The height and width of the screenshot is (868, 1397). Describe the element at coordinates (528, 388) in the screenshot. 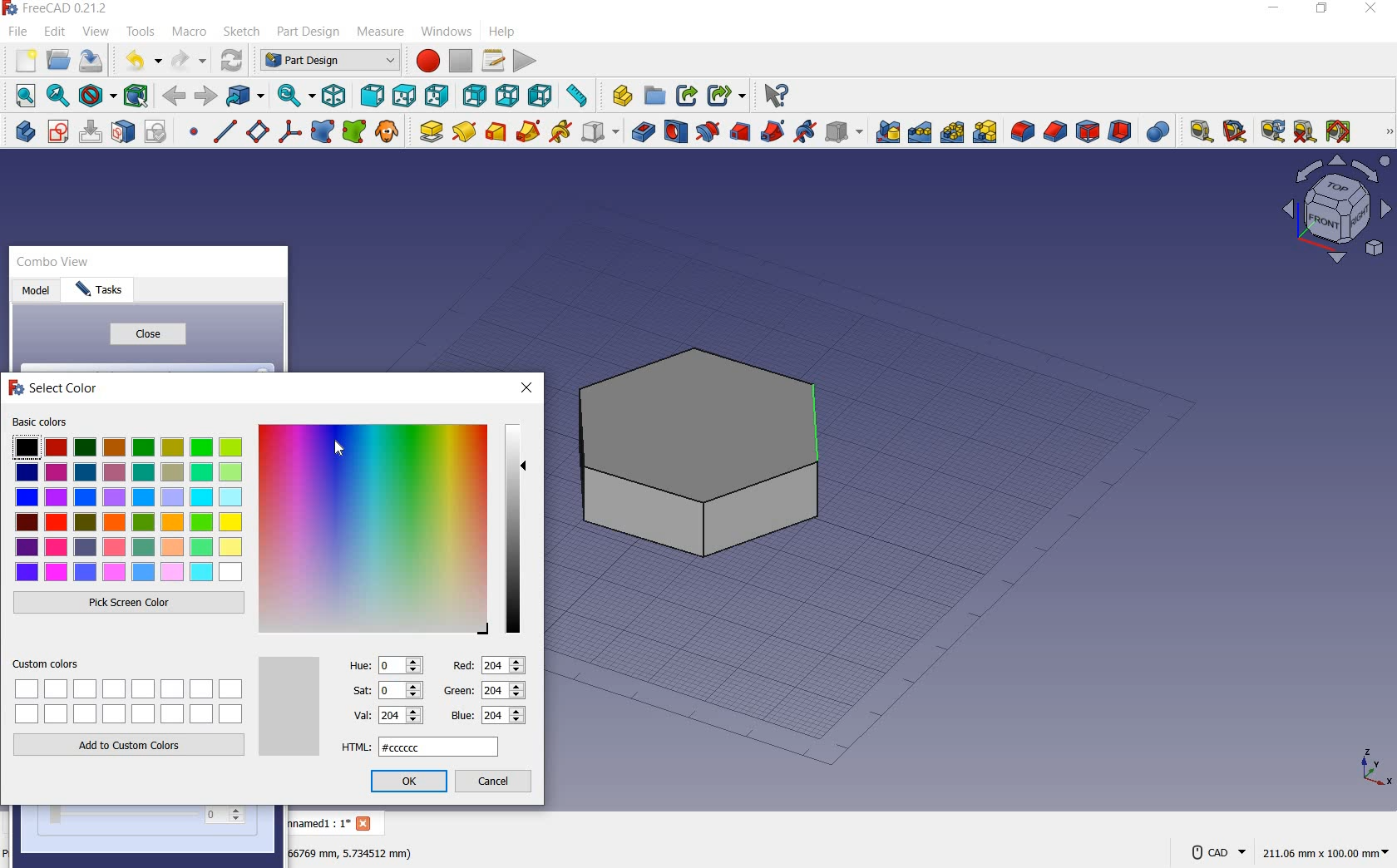

I see `close` at that location.